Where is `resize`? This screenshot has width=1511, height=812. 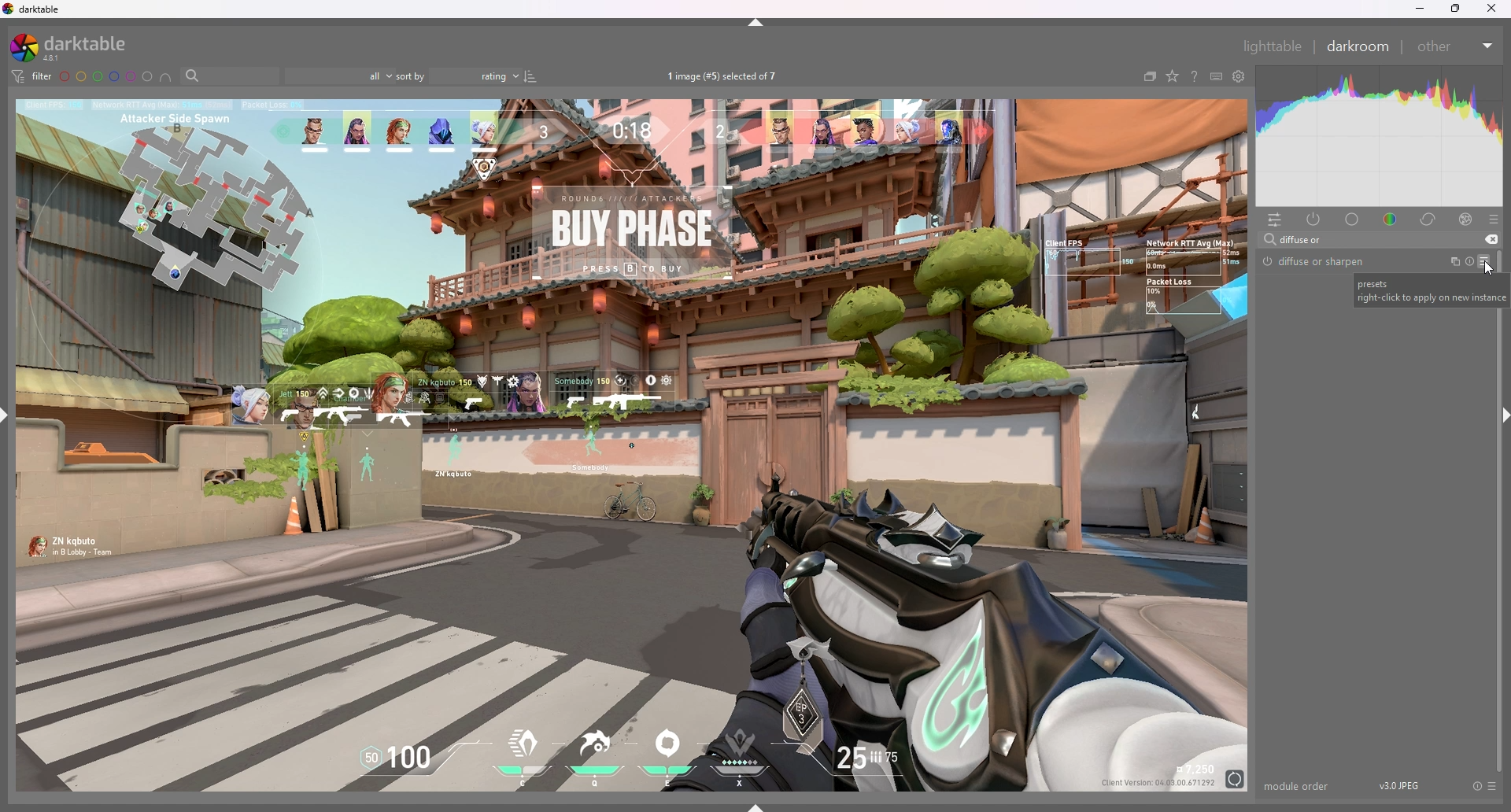
resize is located at coordinates (1456, 9).